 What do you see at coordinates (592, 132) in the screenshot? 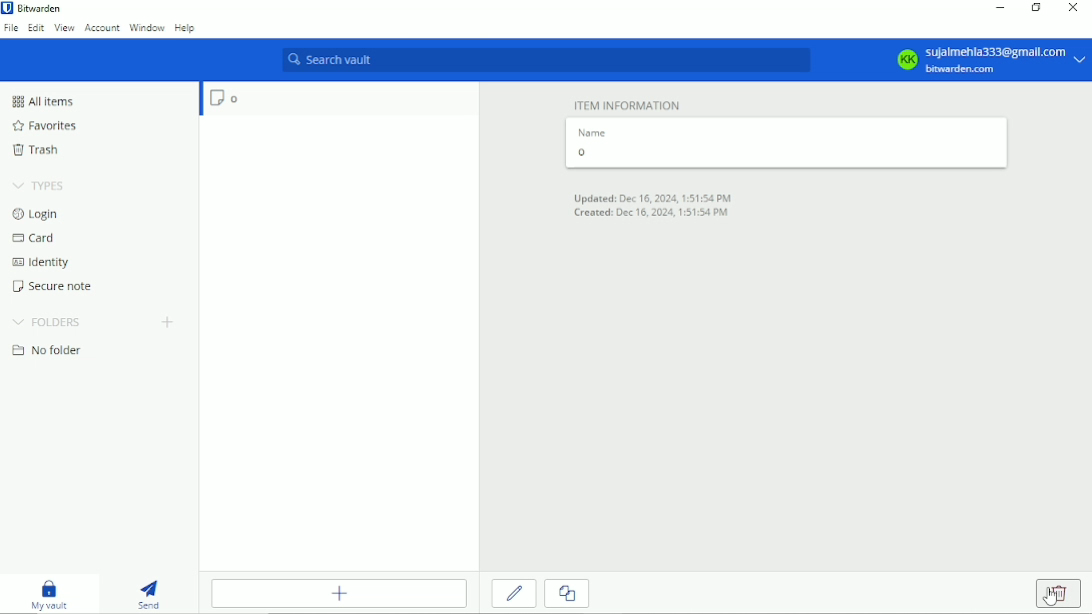
I see `Name` at bounding box center [592, 132].